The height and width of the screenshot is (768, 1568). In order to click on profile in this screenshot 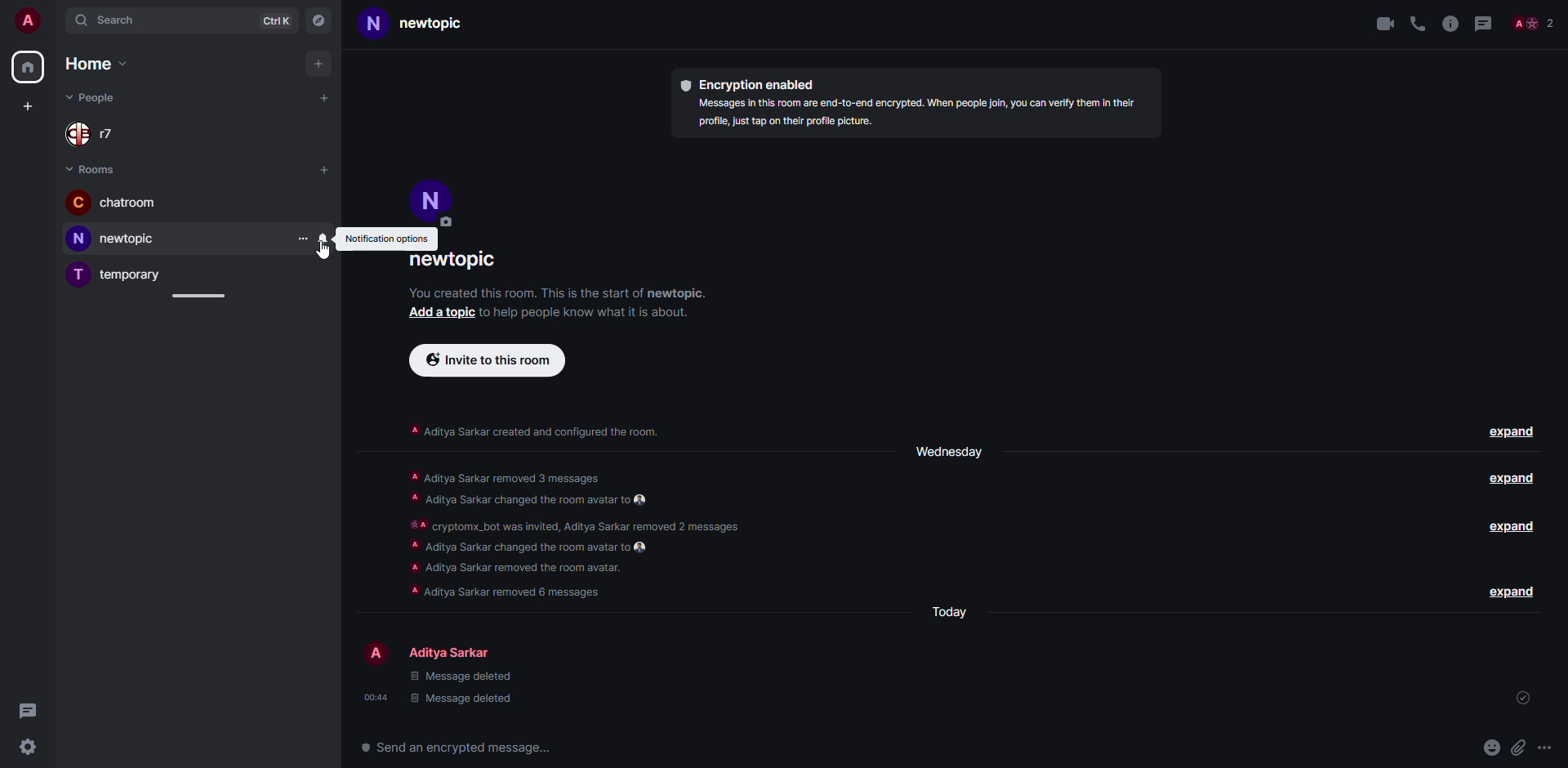, I will do `click(434, 197)`.